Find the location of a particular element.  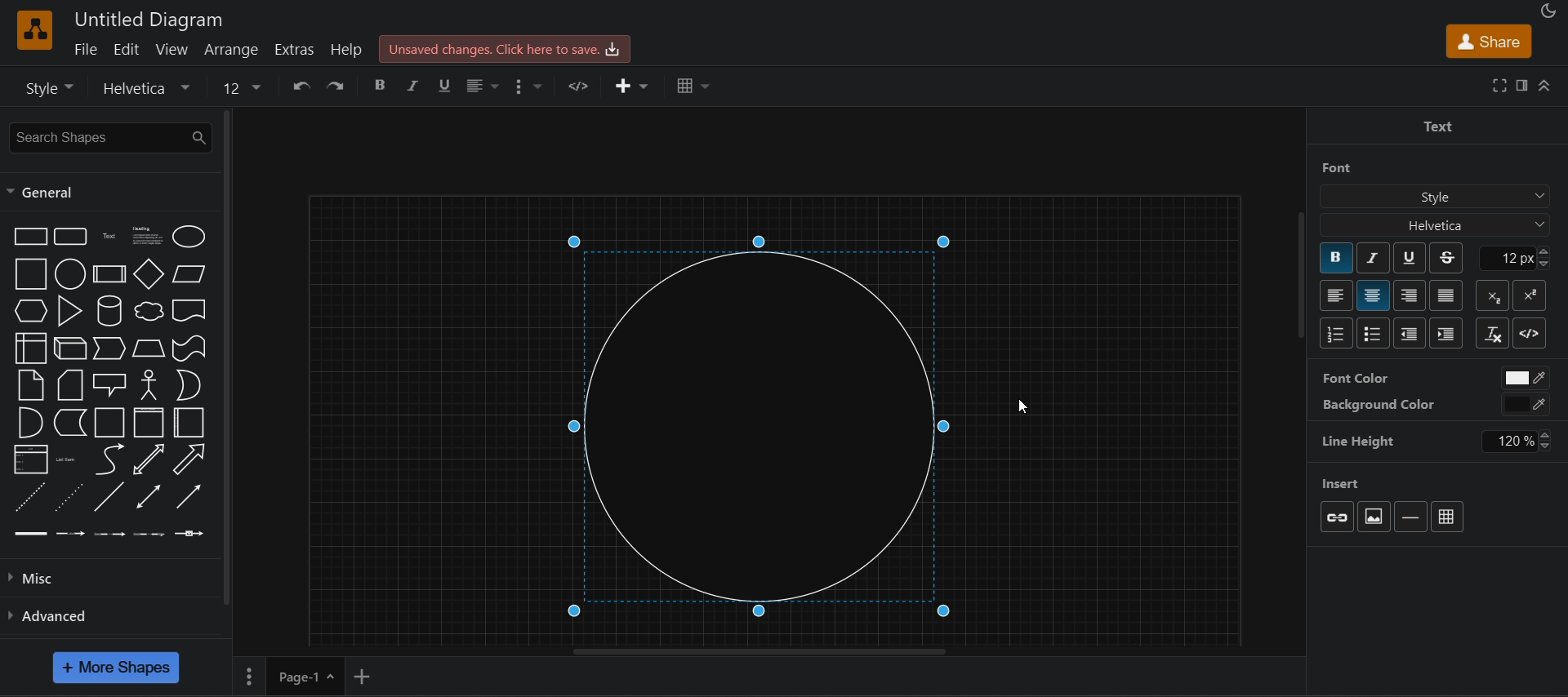

More options is located at coordinates (247, 673).